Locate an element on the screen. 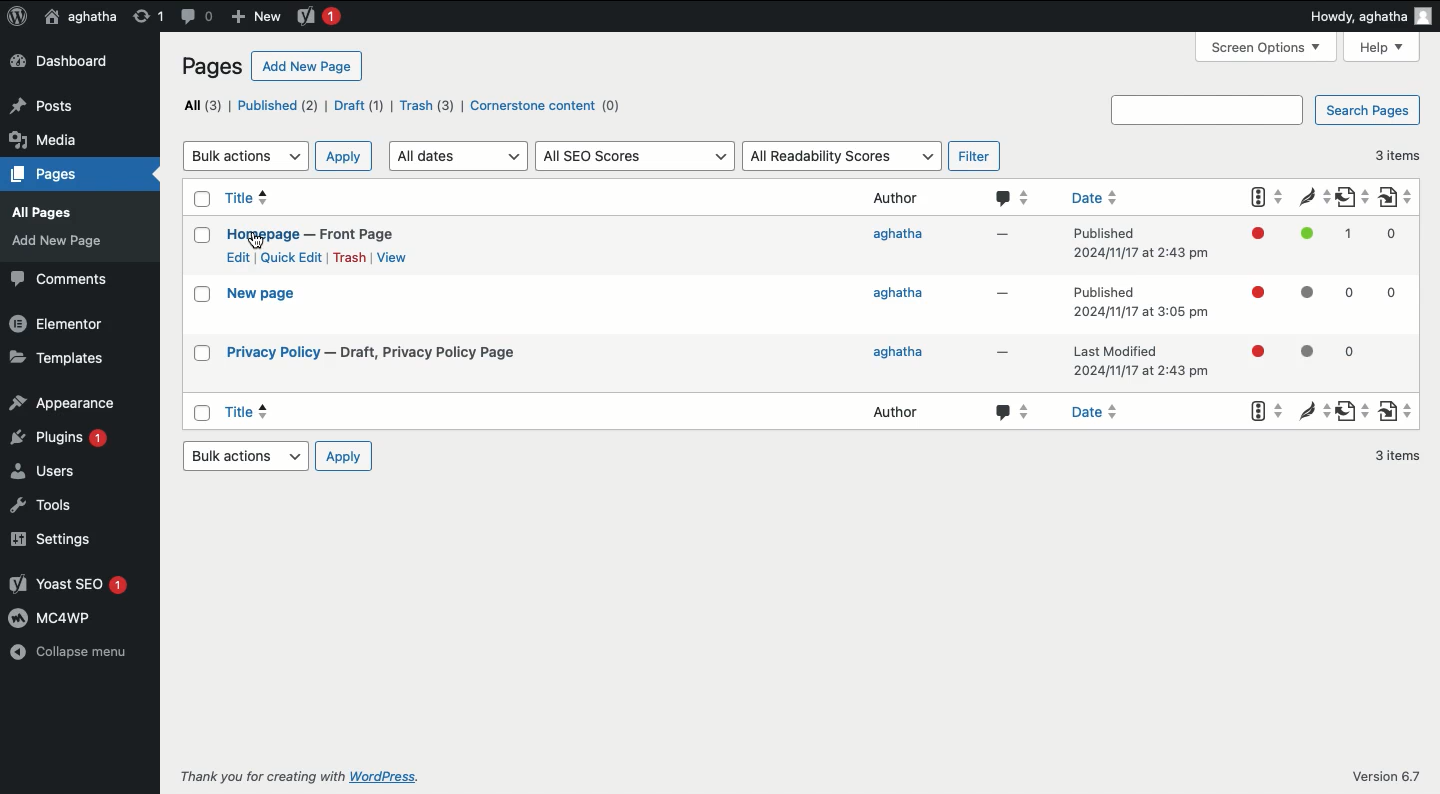  Media is located at coordinates (49, 135).